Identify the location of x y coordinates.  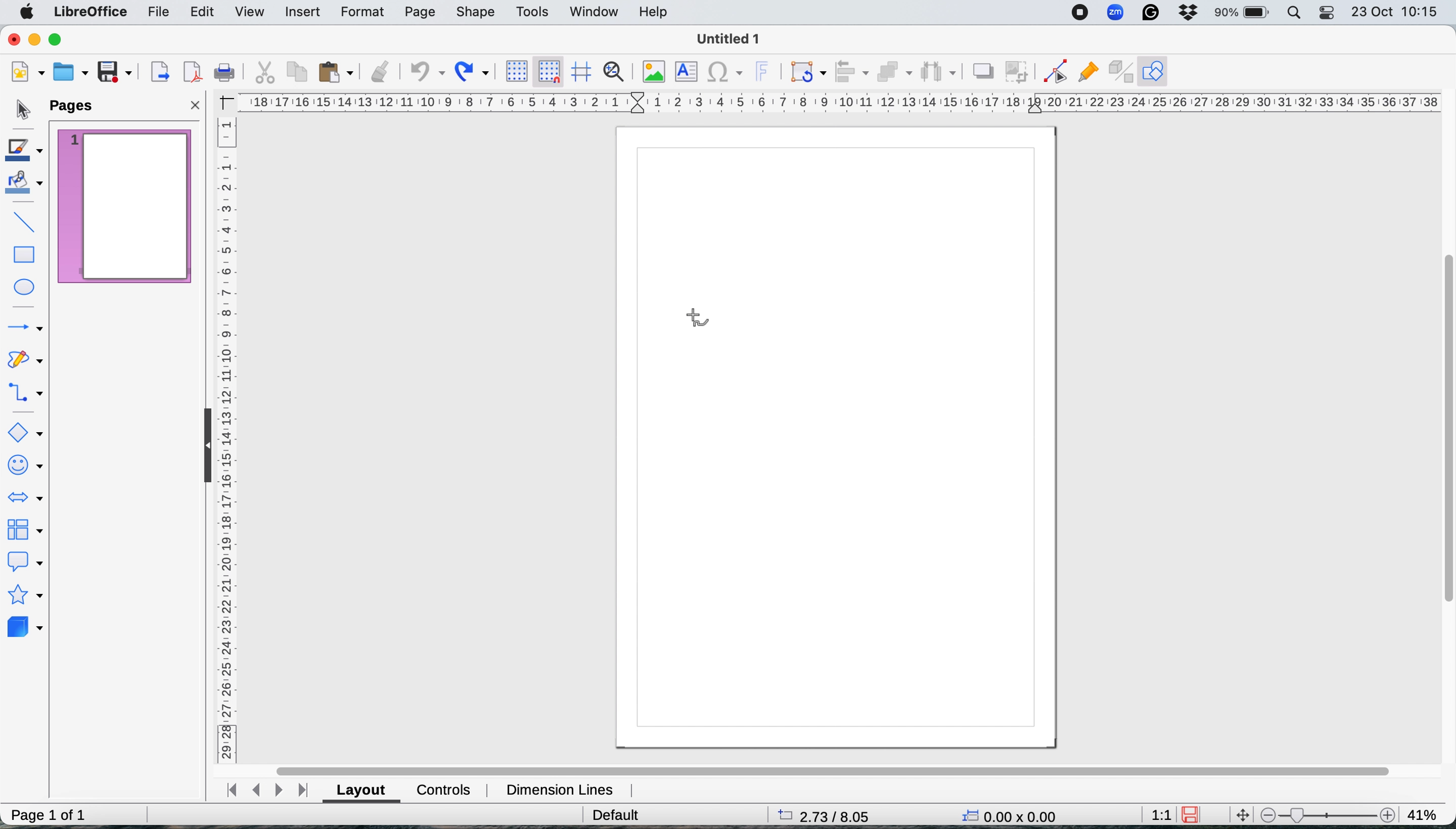
(1012, 815).